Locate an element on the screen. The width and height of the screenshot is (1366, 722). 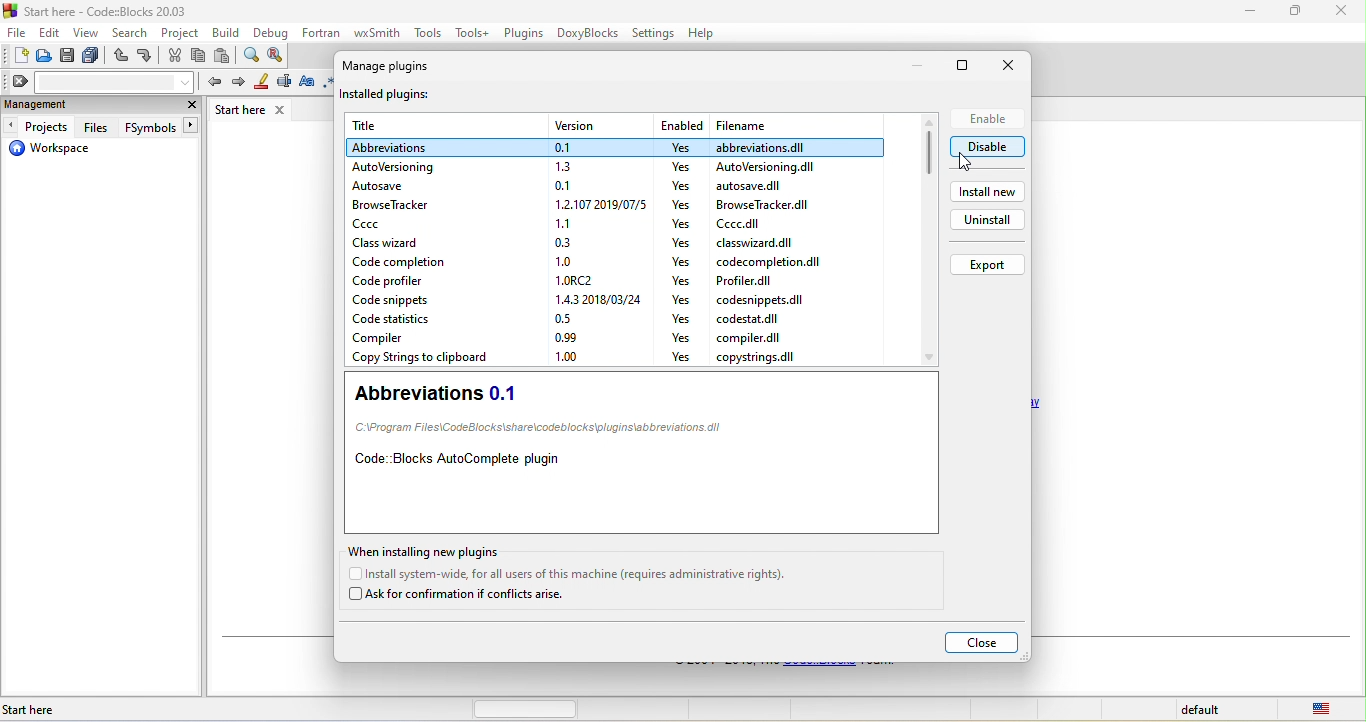
yes is located at coordinates (680, 298).